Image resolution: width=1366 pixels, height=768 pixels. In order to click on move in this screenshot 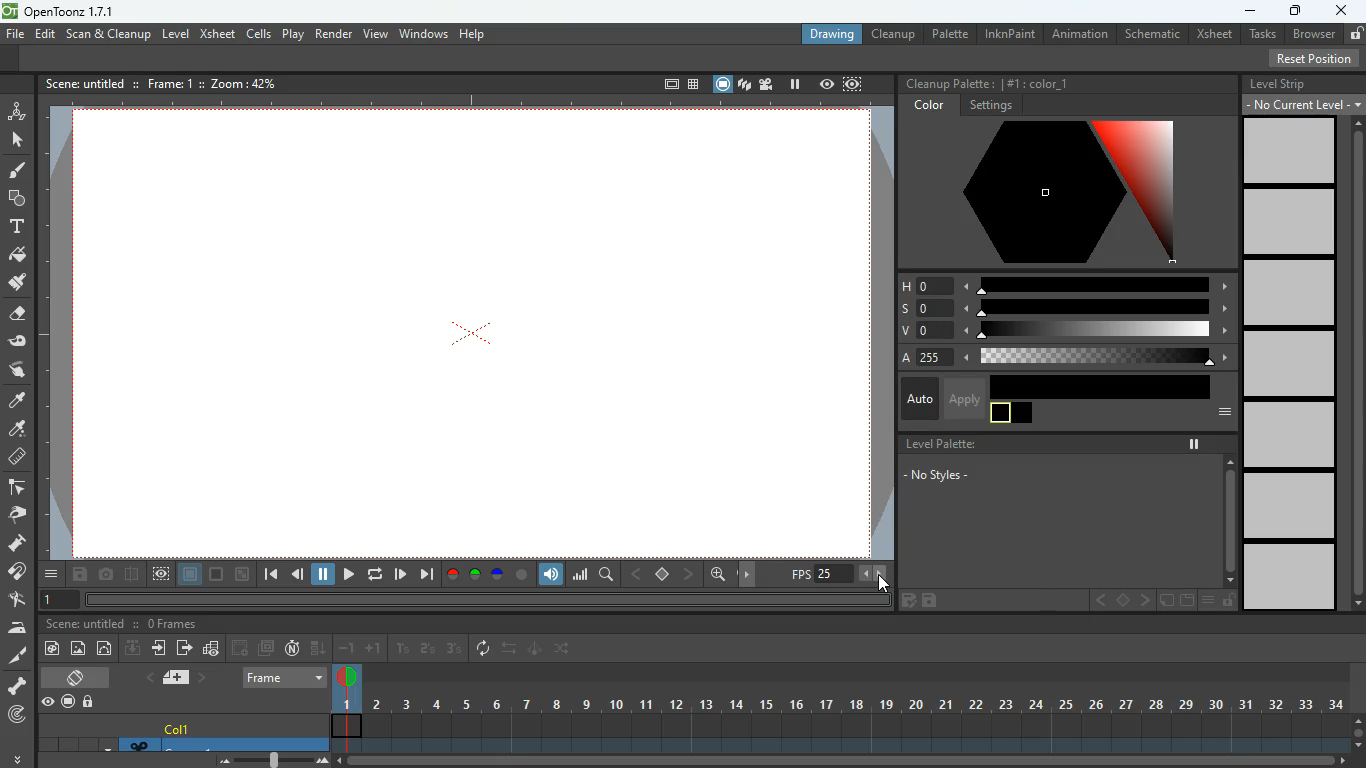, I will do `click(749, 574)`.